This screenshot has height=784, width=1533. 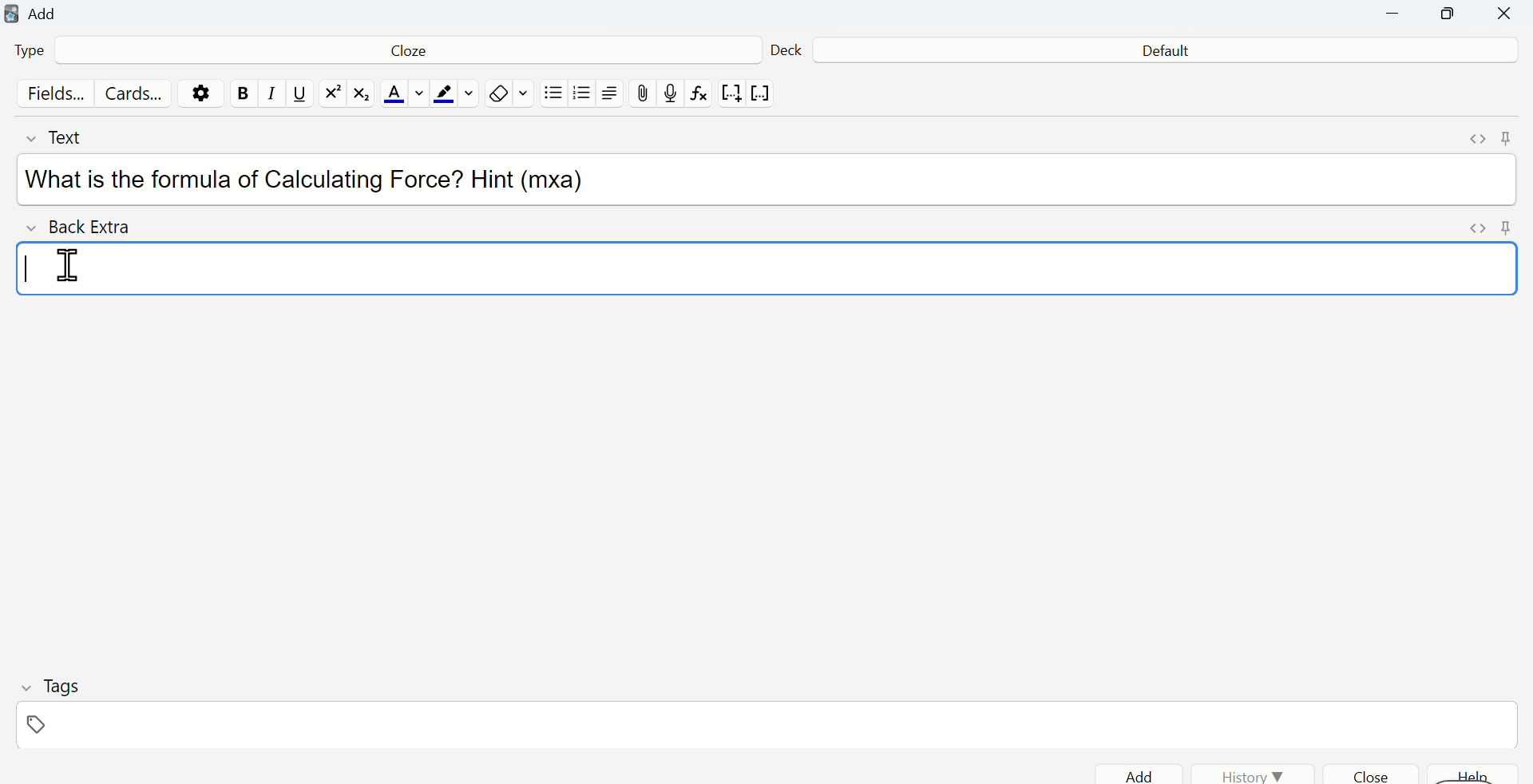 I want to click on cursor, so click(x=69, y=263).